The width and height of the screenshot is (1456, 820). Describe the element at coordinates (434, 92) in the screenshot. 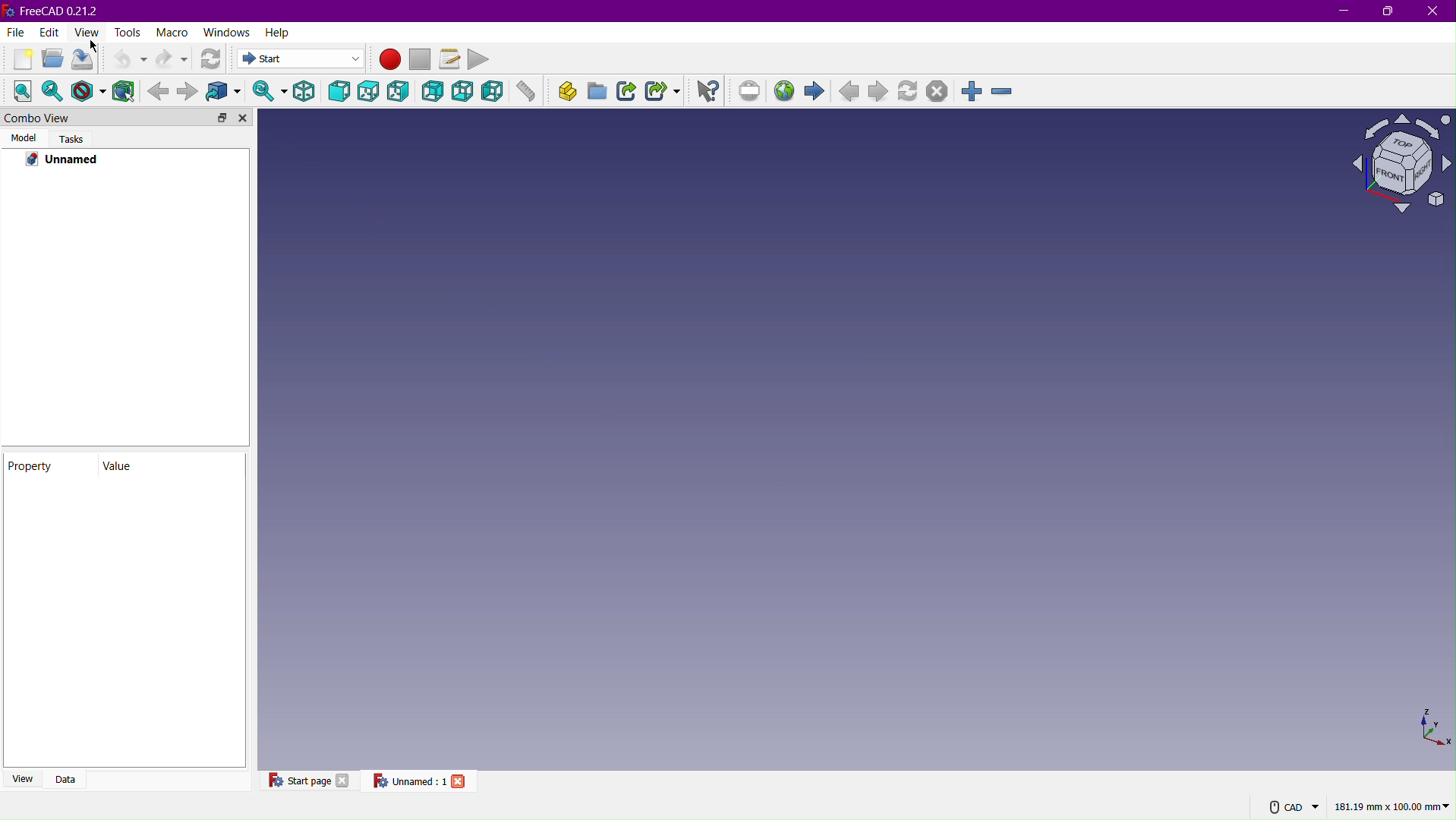

I see `Back` at that location.